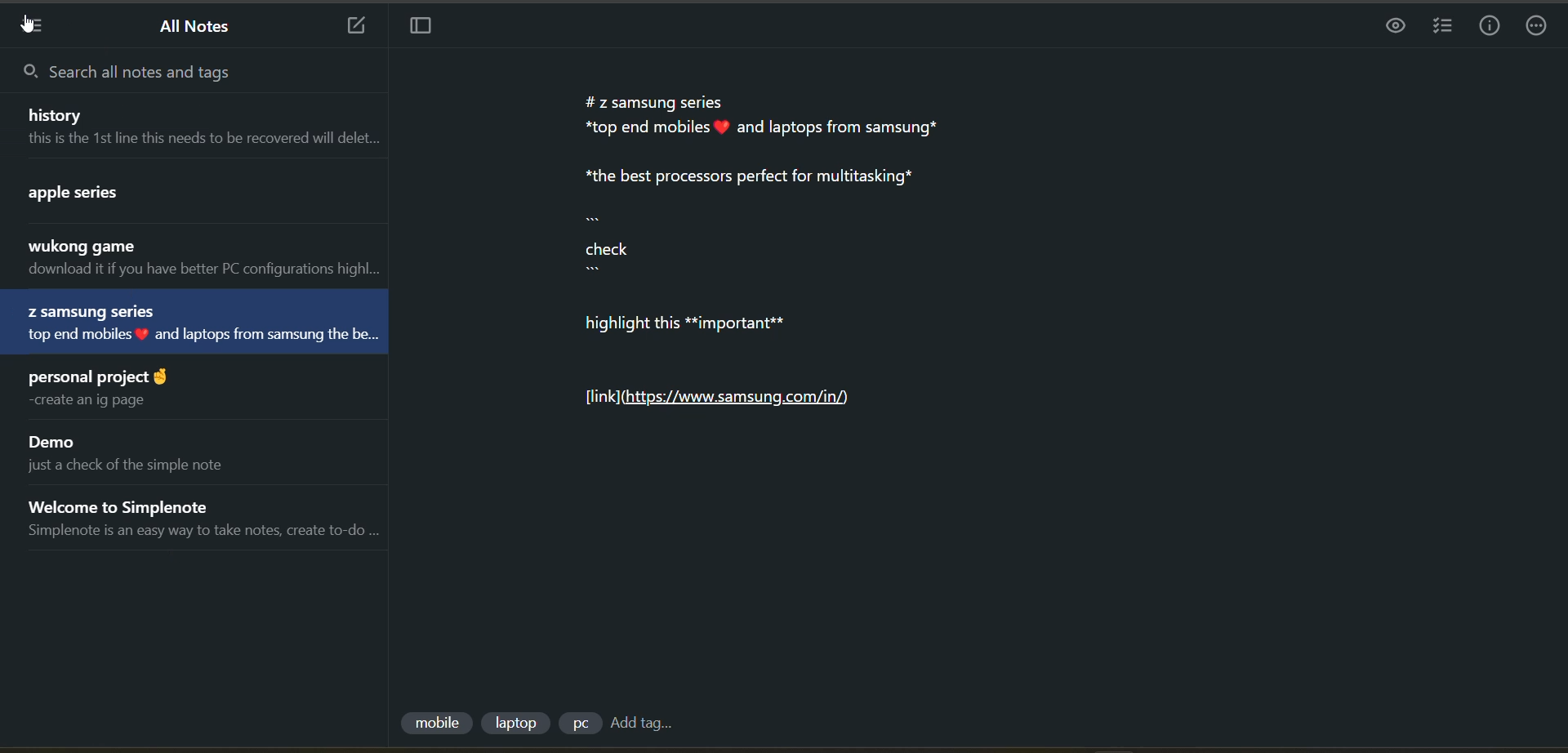 The height and width of the screenshot is (753, 1568). What do you see at coordinates (435, 725) in the screenshot?
I see `tag 1` at bounding box center [435, 725].